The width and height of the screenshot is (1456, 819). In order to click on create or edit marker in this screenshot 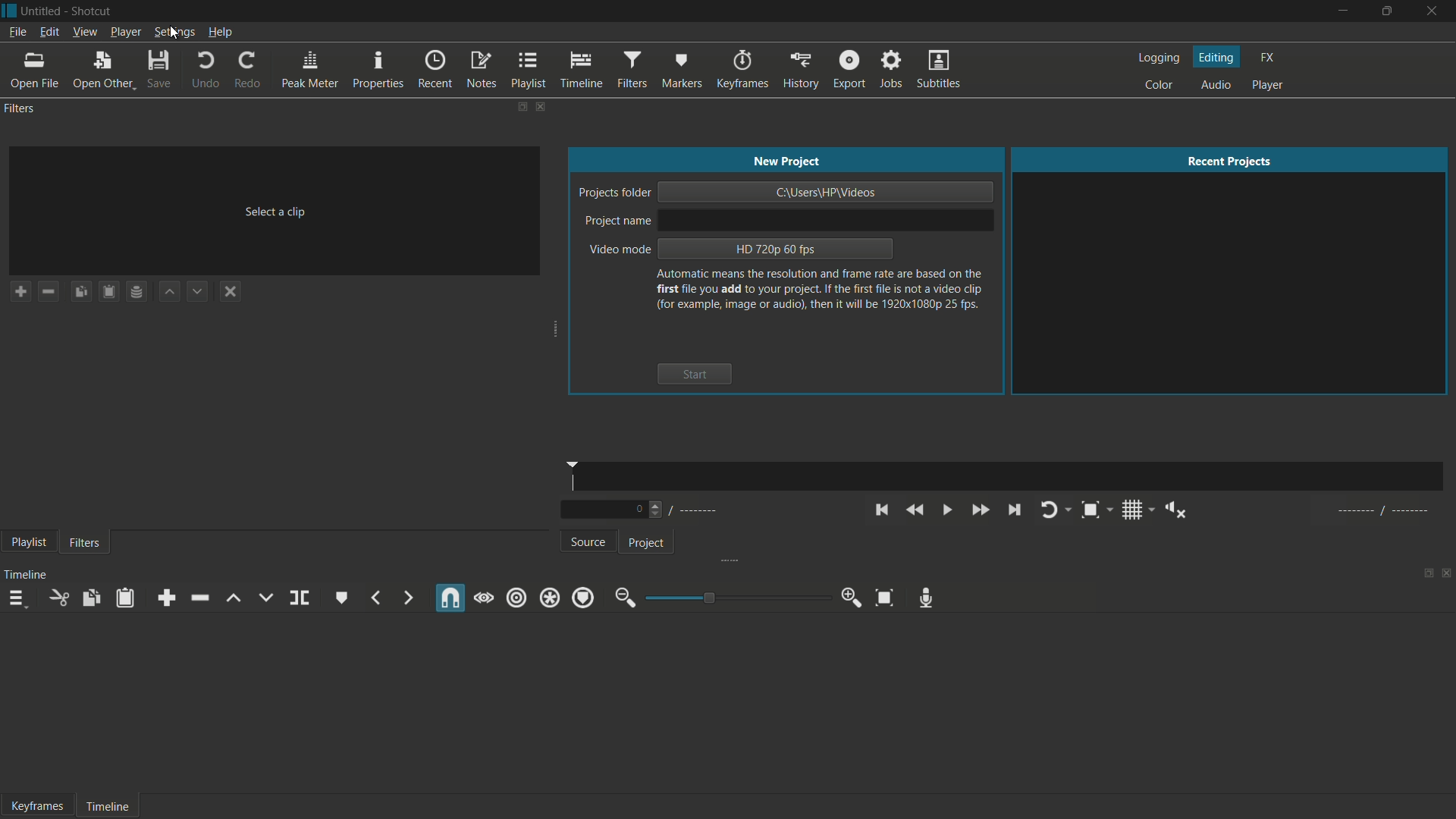, I will do `click(339, 597)`.